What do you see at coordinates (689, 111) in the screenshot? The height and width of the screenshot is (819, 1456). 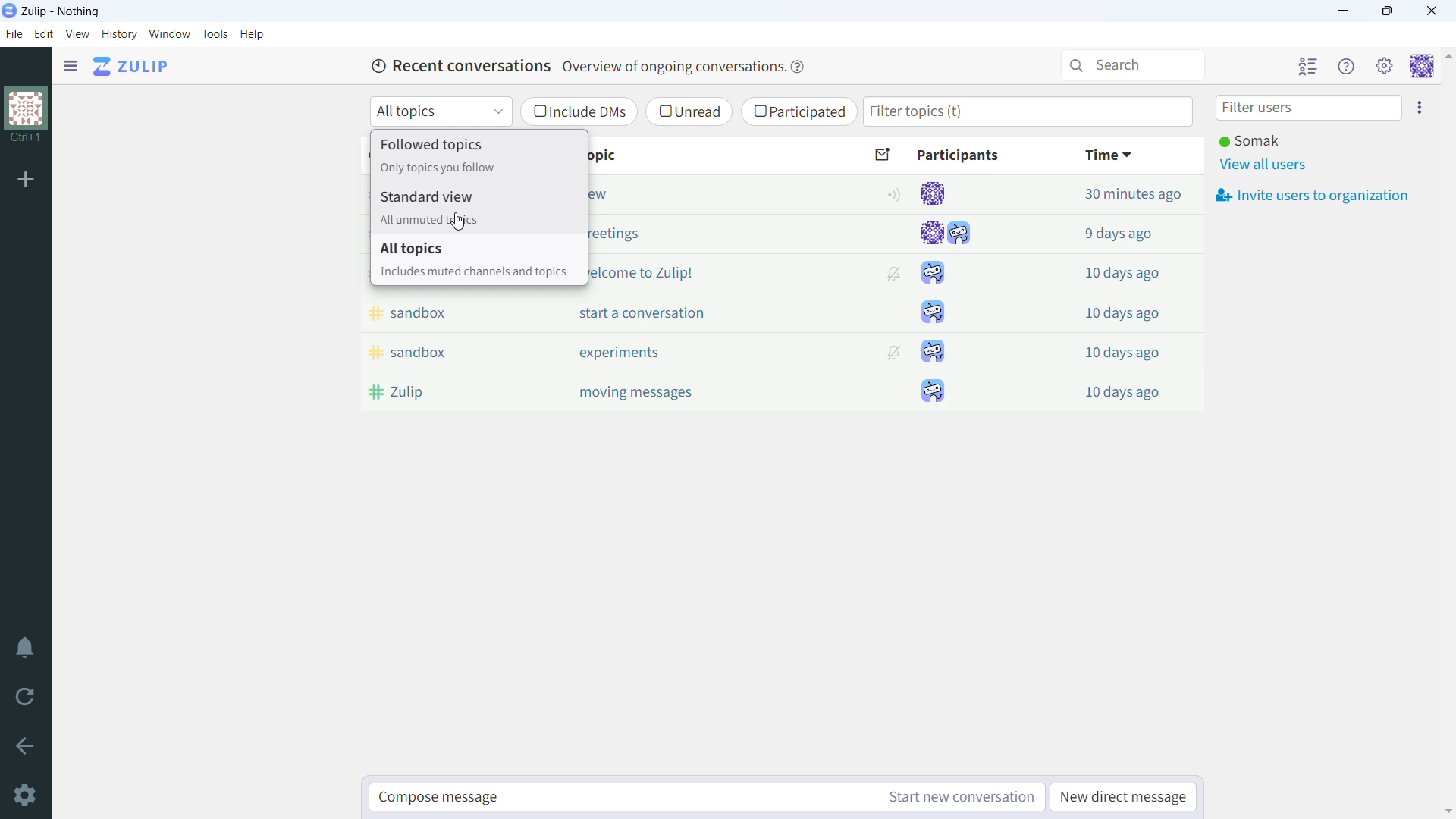 I see `unread` at bounding box center [689, 111].